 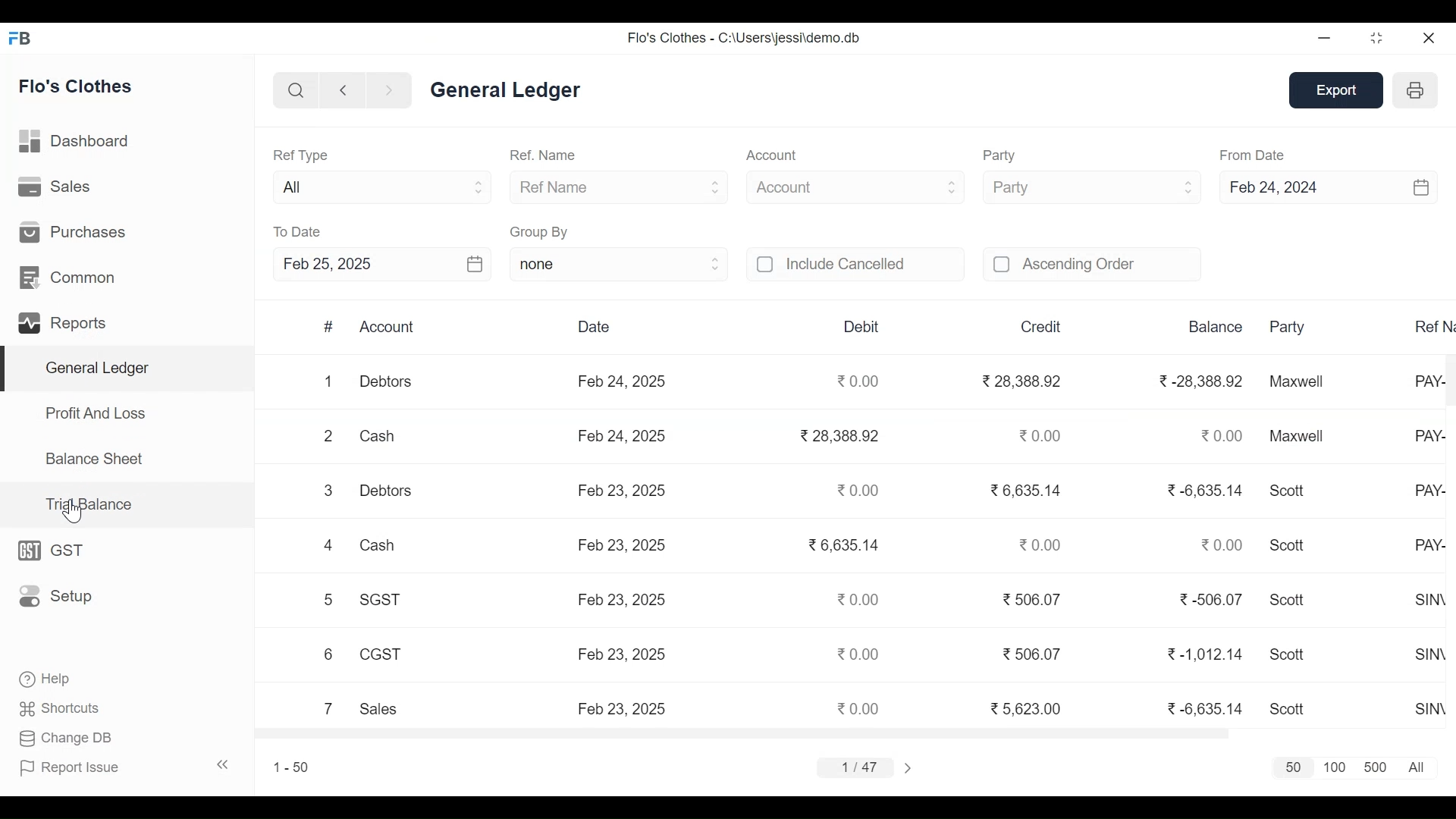 What do you see at coordinates (58, 187) in the screenshot?
I see `Sales` at bounding box center [58, 187].